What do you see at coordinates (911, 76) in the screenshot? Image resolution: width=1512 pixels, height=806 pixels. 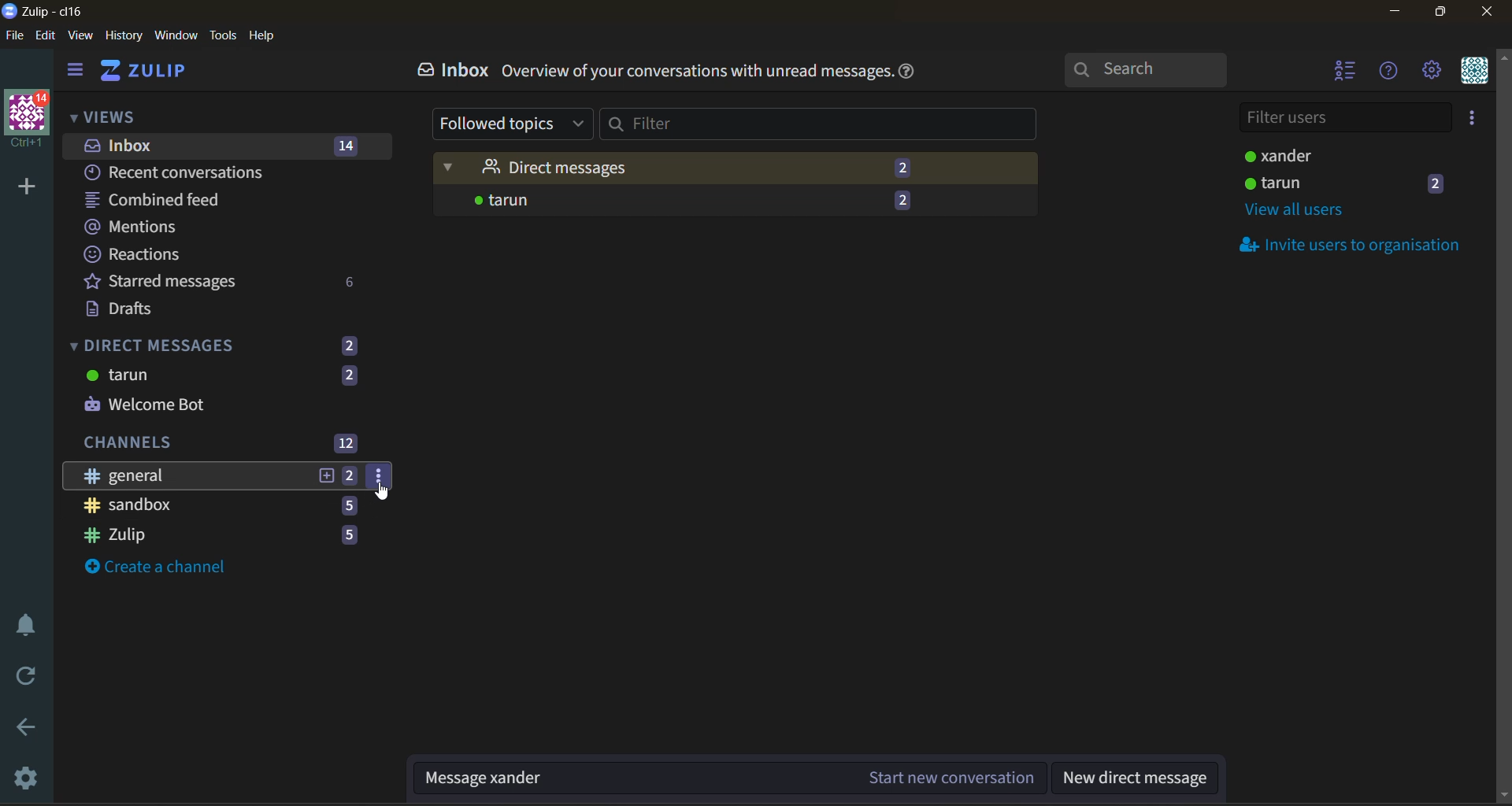 I see `help` at bounding box center [911, 76].